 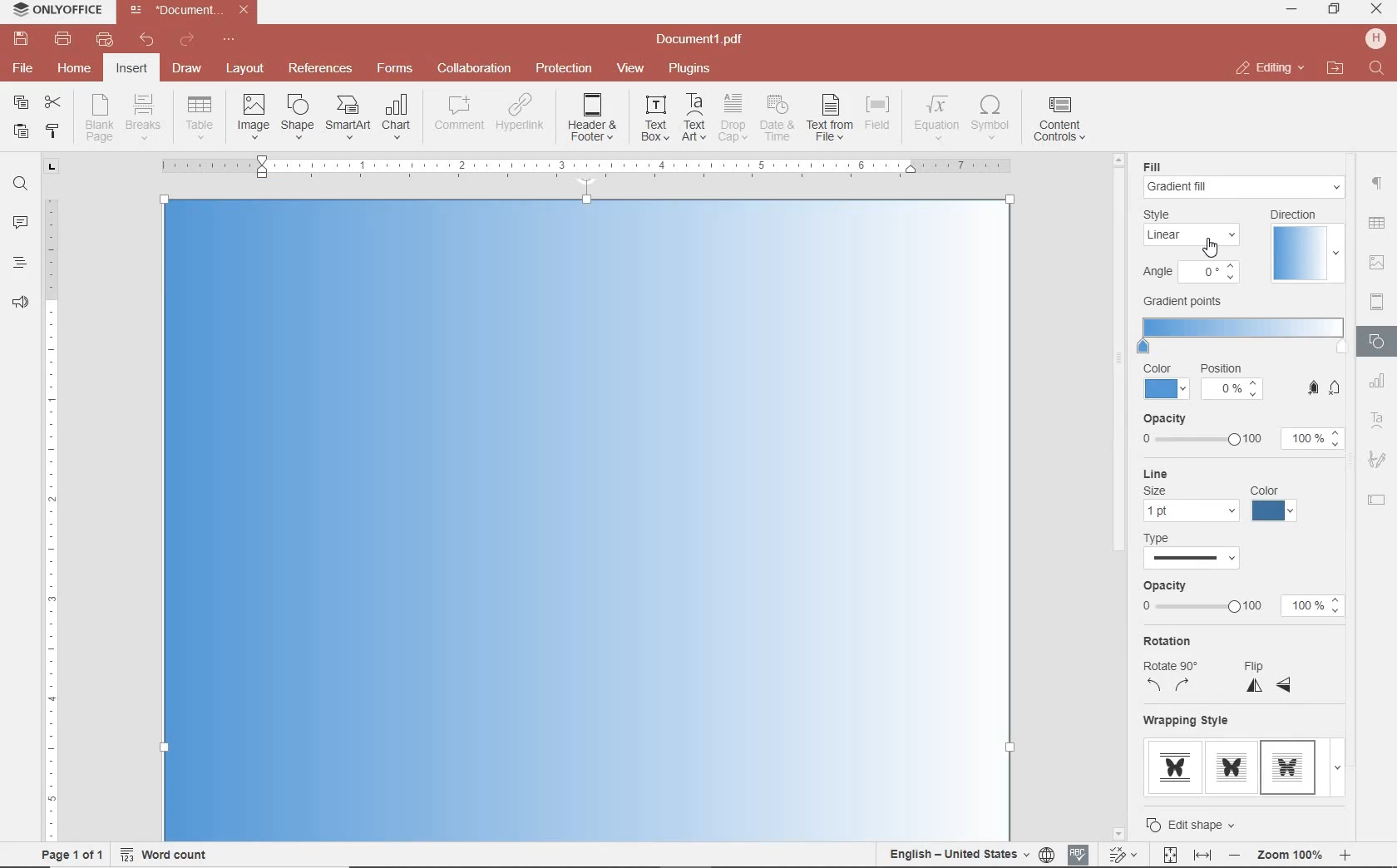 I want to click on file, so click(x=24, y=68).